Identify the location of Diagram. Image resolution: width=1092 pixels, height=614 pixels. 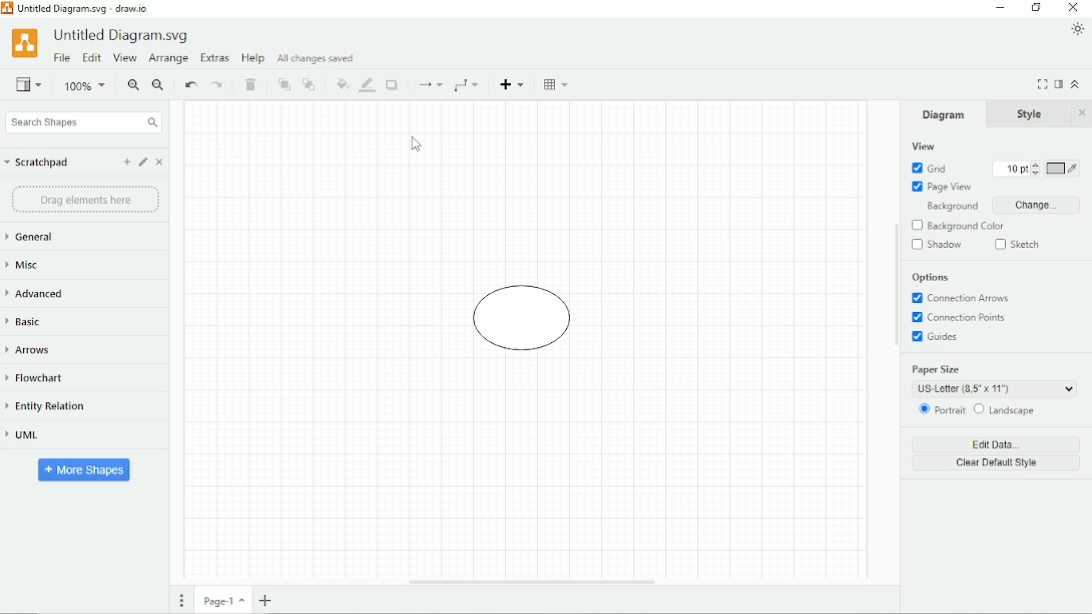
(944, 114).